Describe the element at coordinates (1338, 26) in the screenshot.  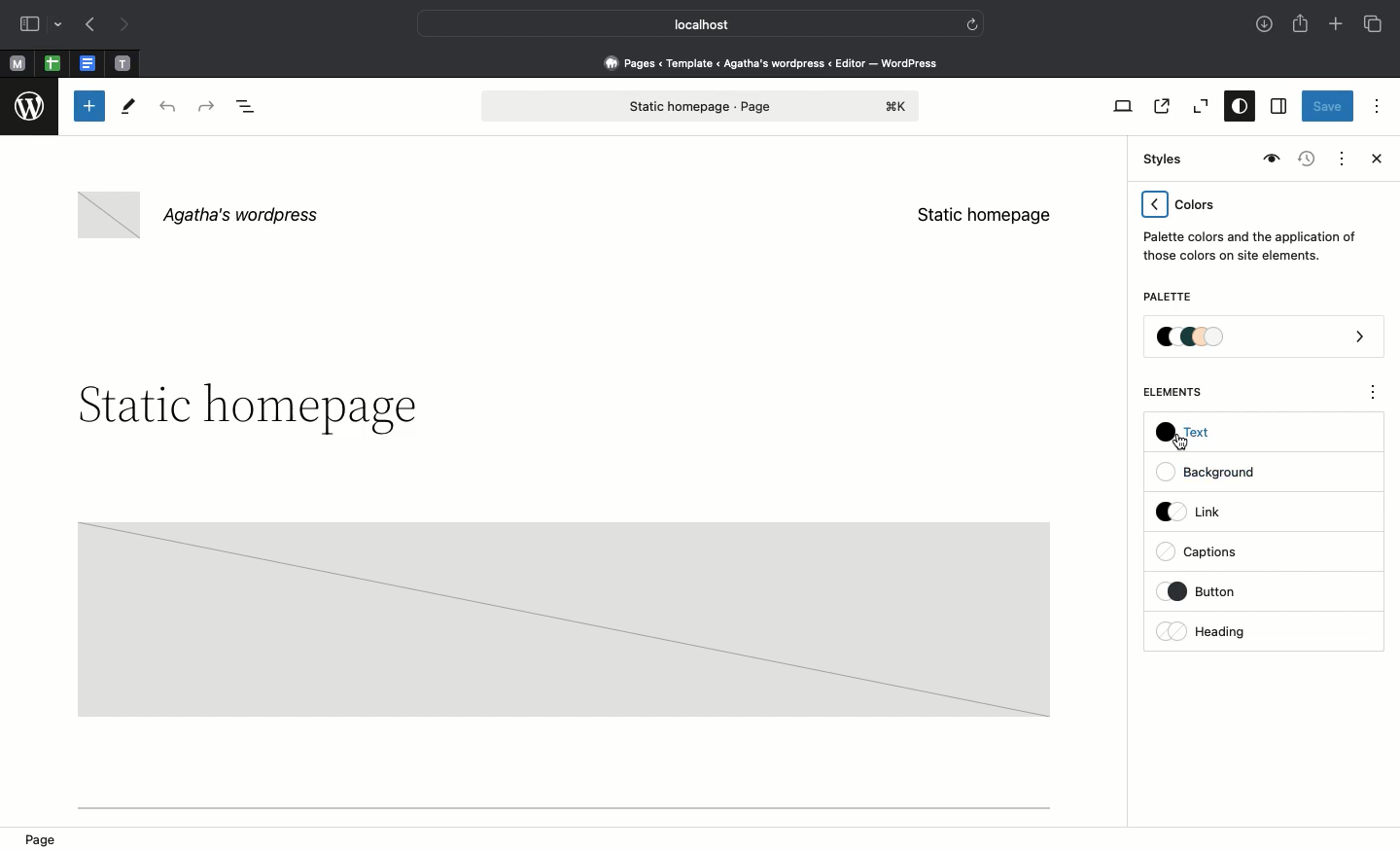
I see `Add new tab` at that location.